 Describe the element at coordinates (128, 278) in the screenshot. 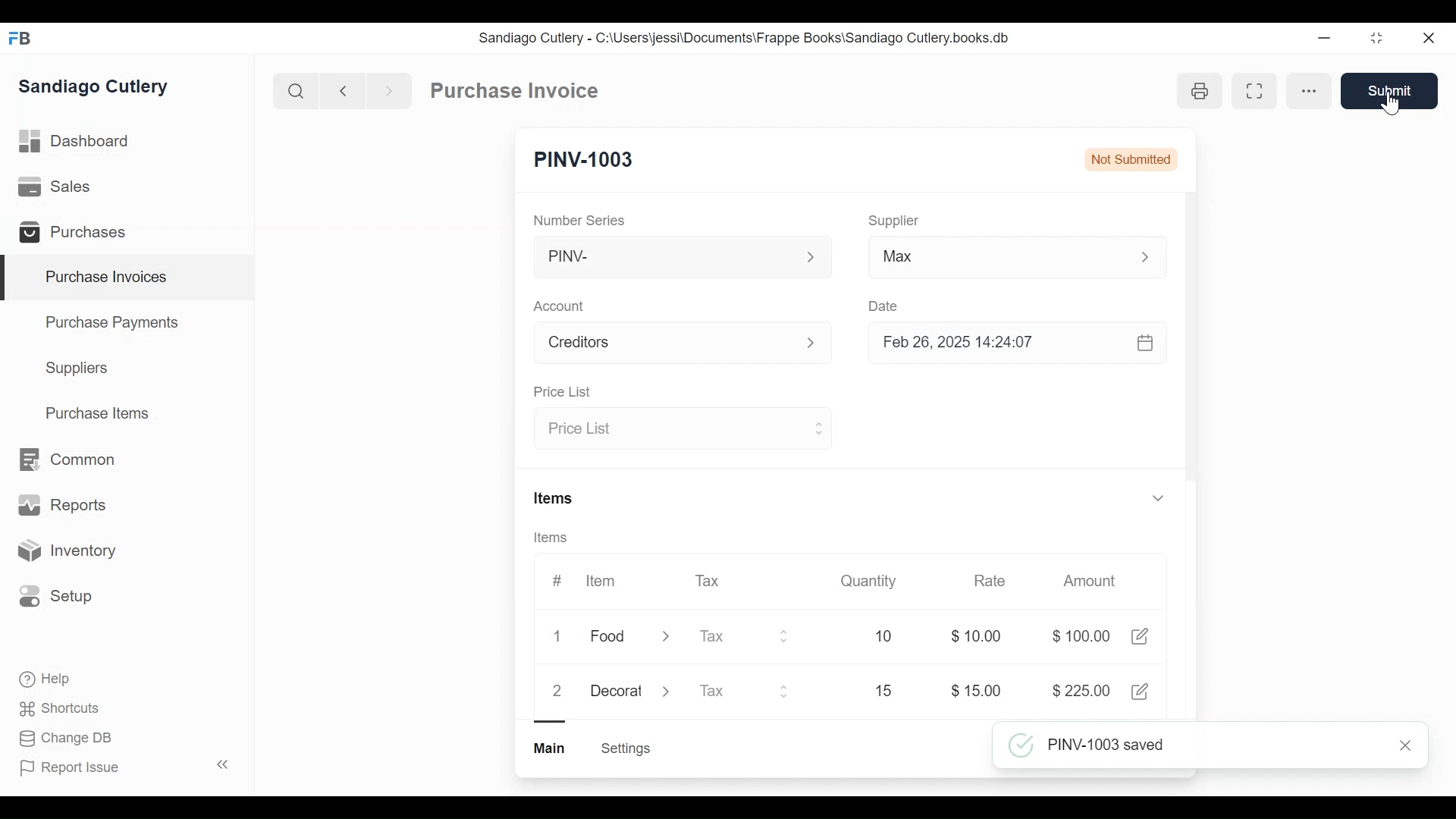

I see `Purchase Invoices` at that location.